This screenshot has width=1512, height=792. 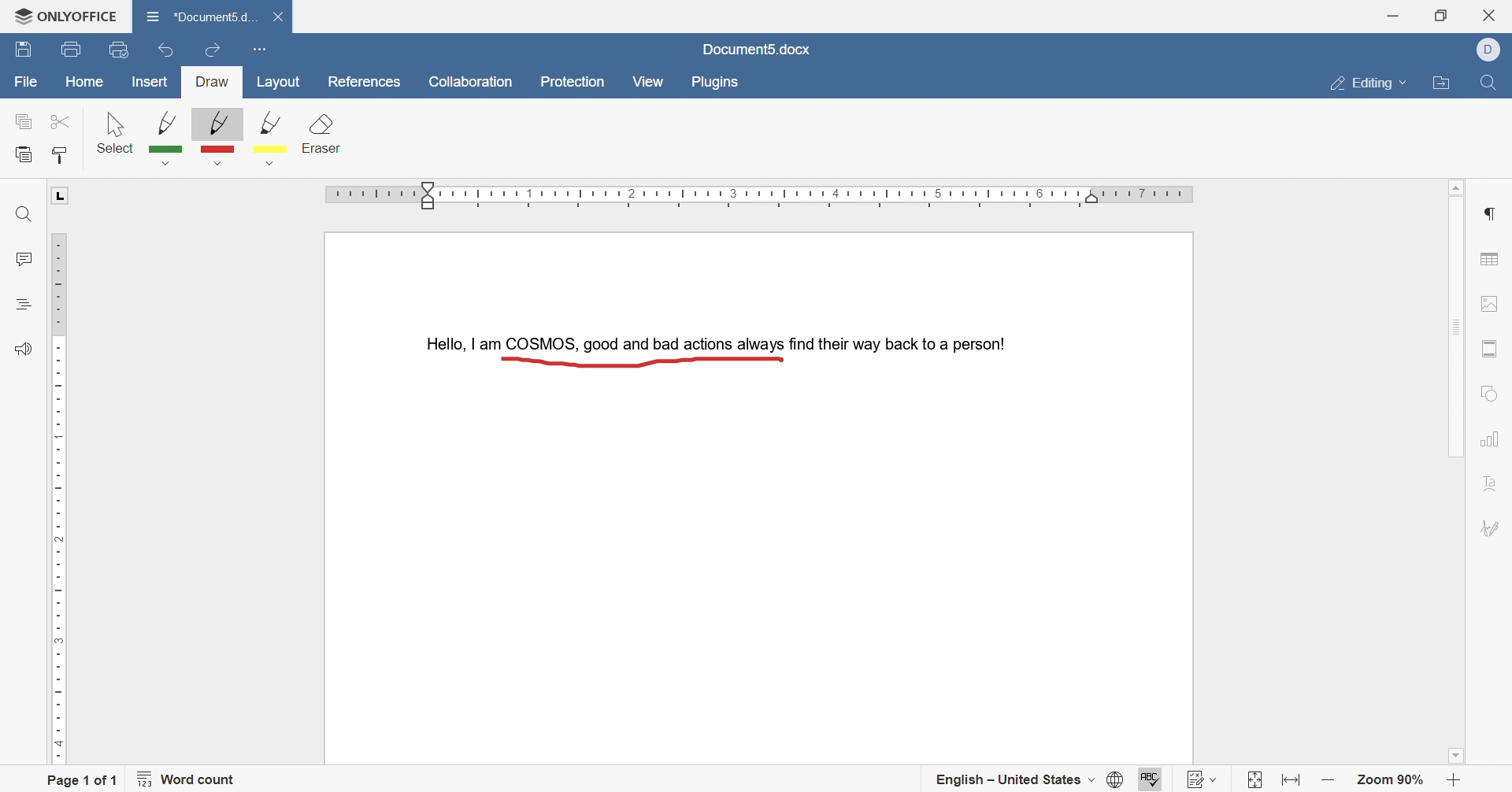 What do you see at coordinates (61, 196) in the screenshot?
I see `L` at bounding box center [61, 196].